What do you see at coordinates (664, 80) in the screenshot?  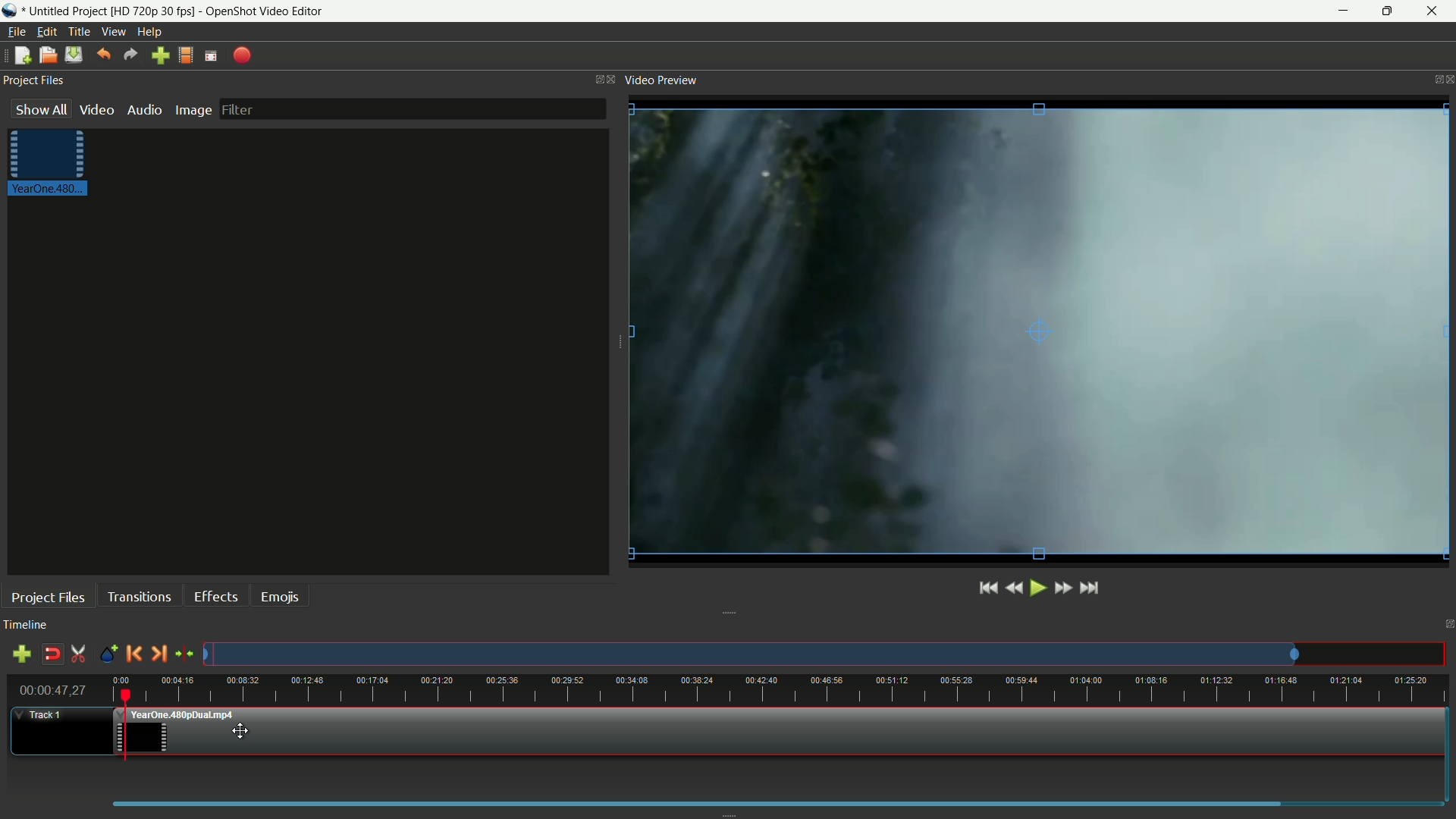 I see `video preview` at bounding box center [664, 80].